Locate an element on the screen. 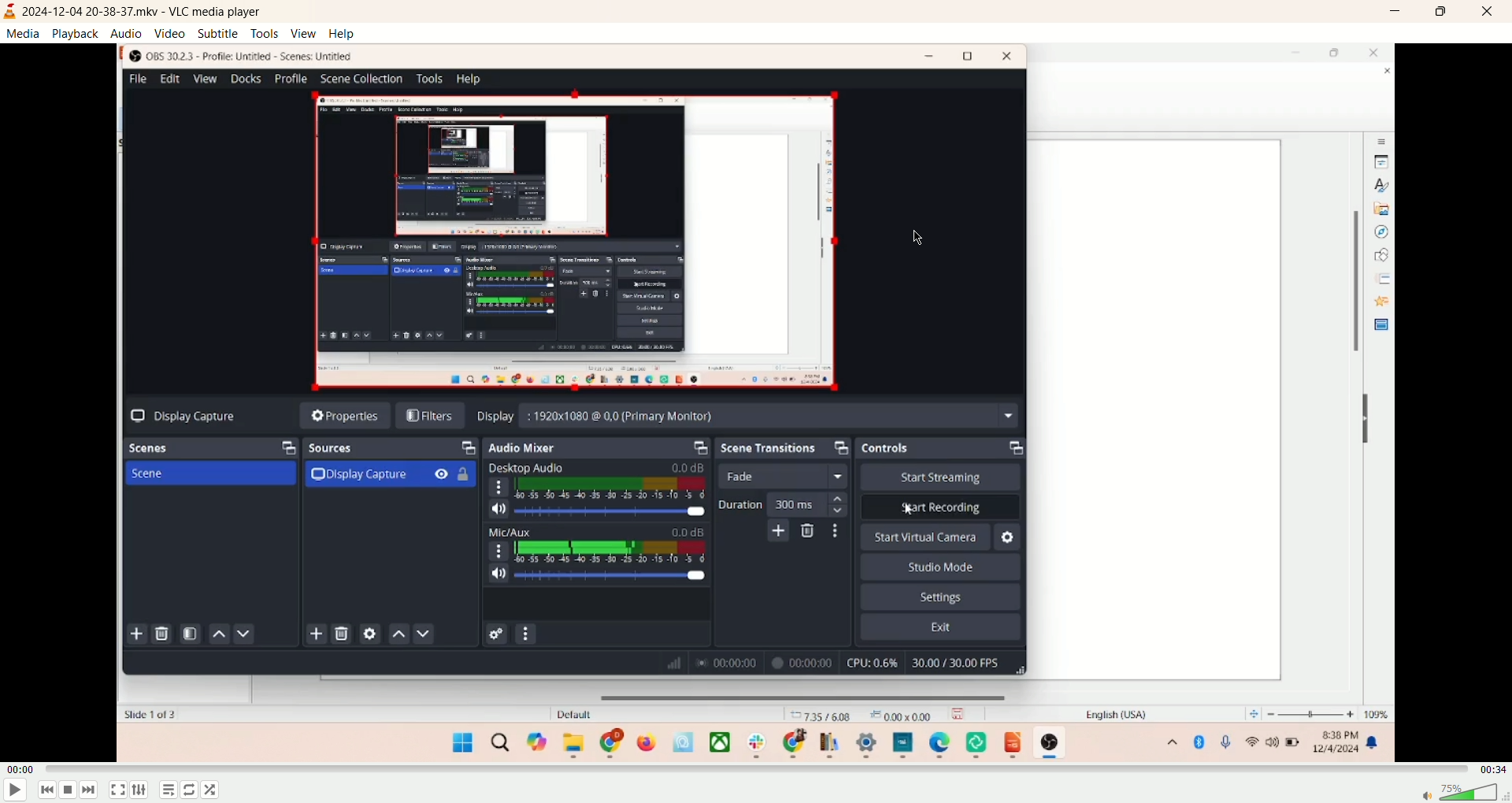  visual is located at coordinates (9, 13).